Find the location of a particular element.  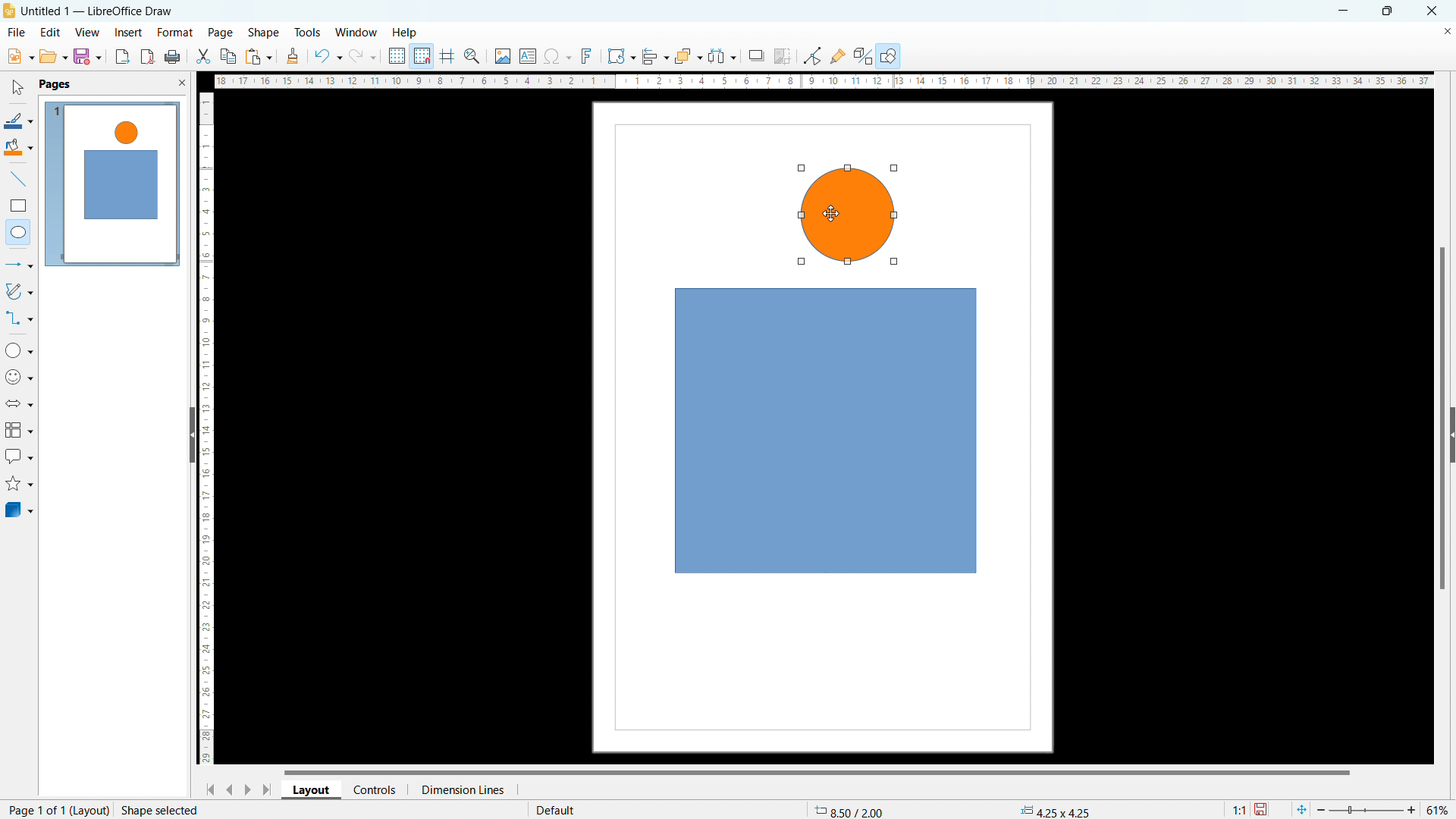

action status is located at coordinates (152, 809).